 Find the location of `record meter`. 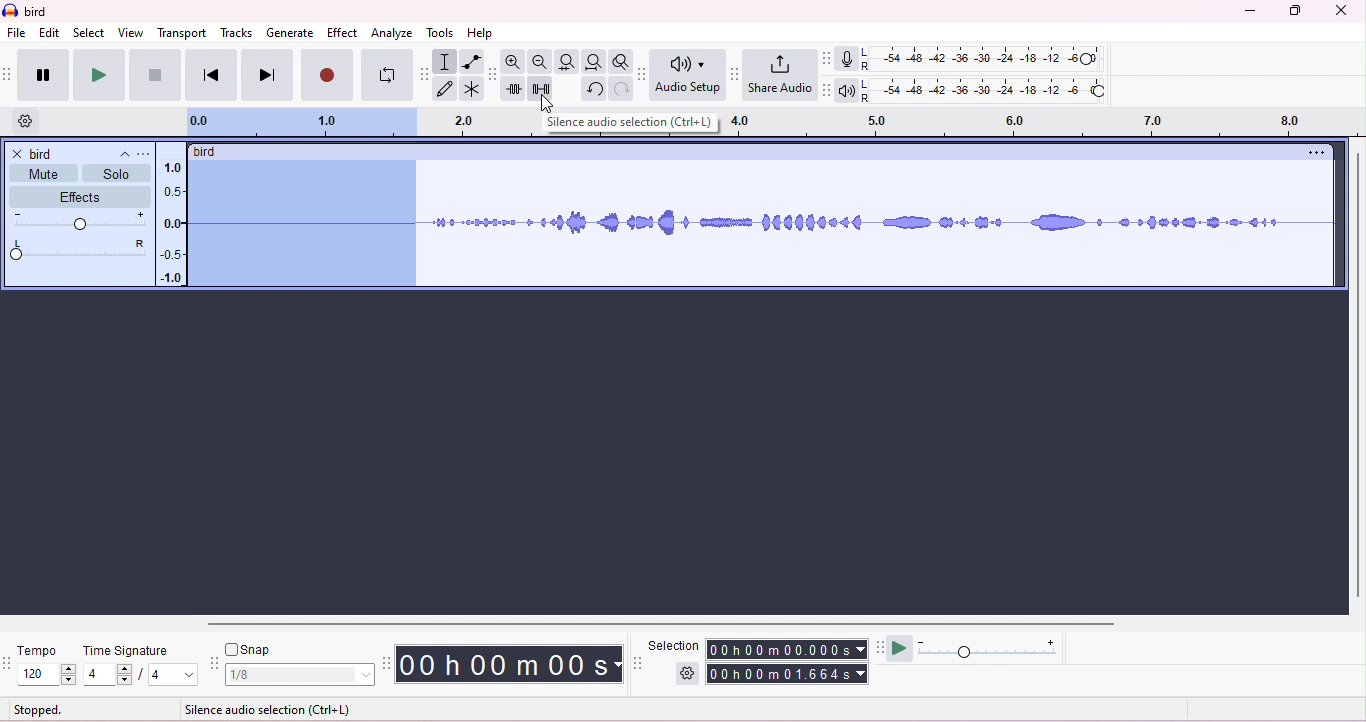

record meter is located at coordinates (855, 59).